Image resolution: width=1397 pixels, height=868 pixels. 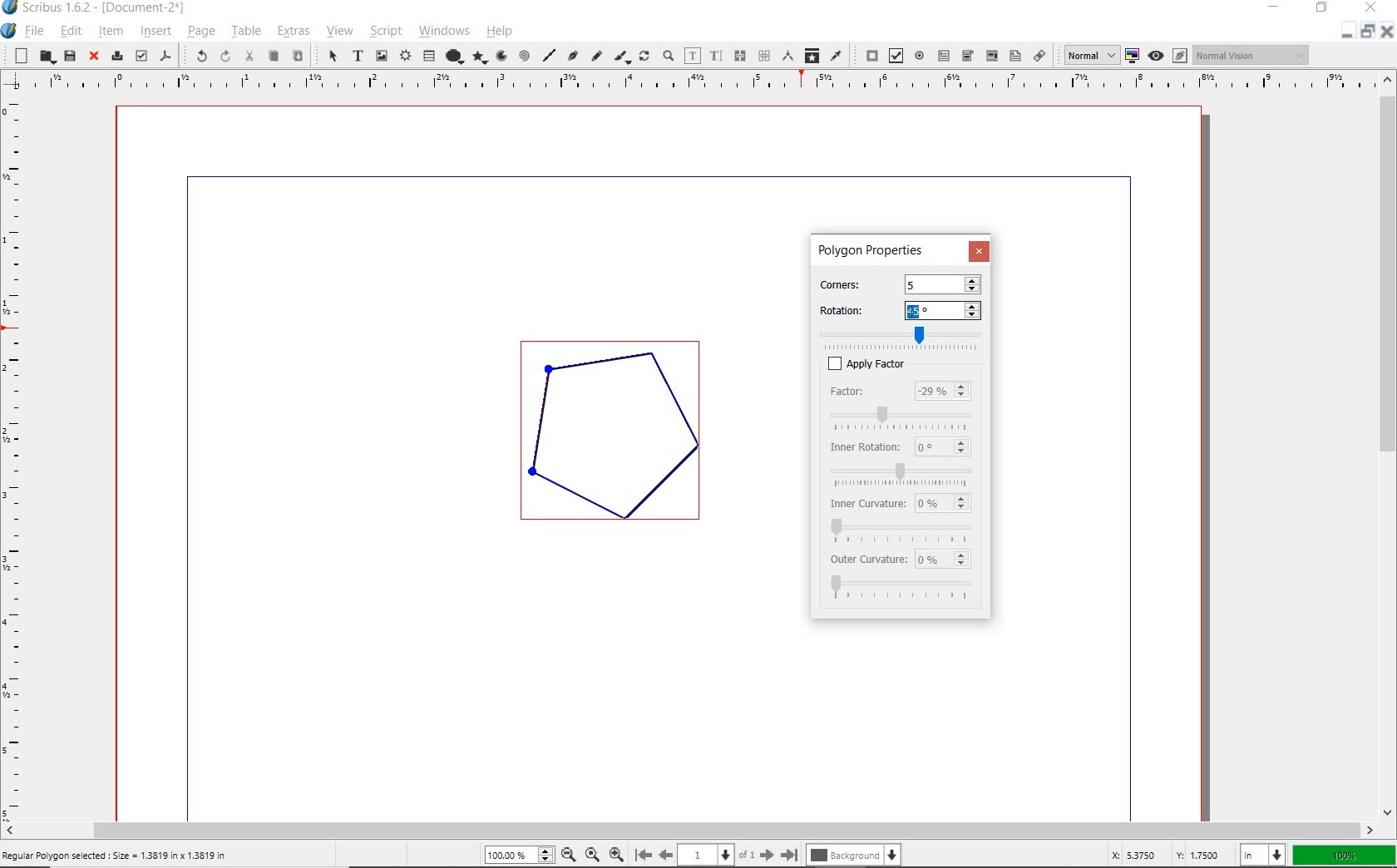 I want to click on edit, so click(x=70, y=30).